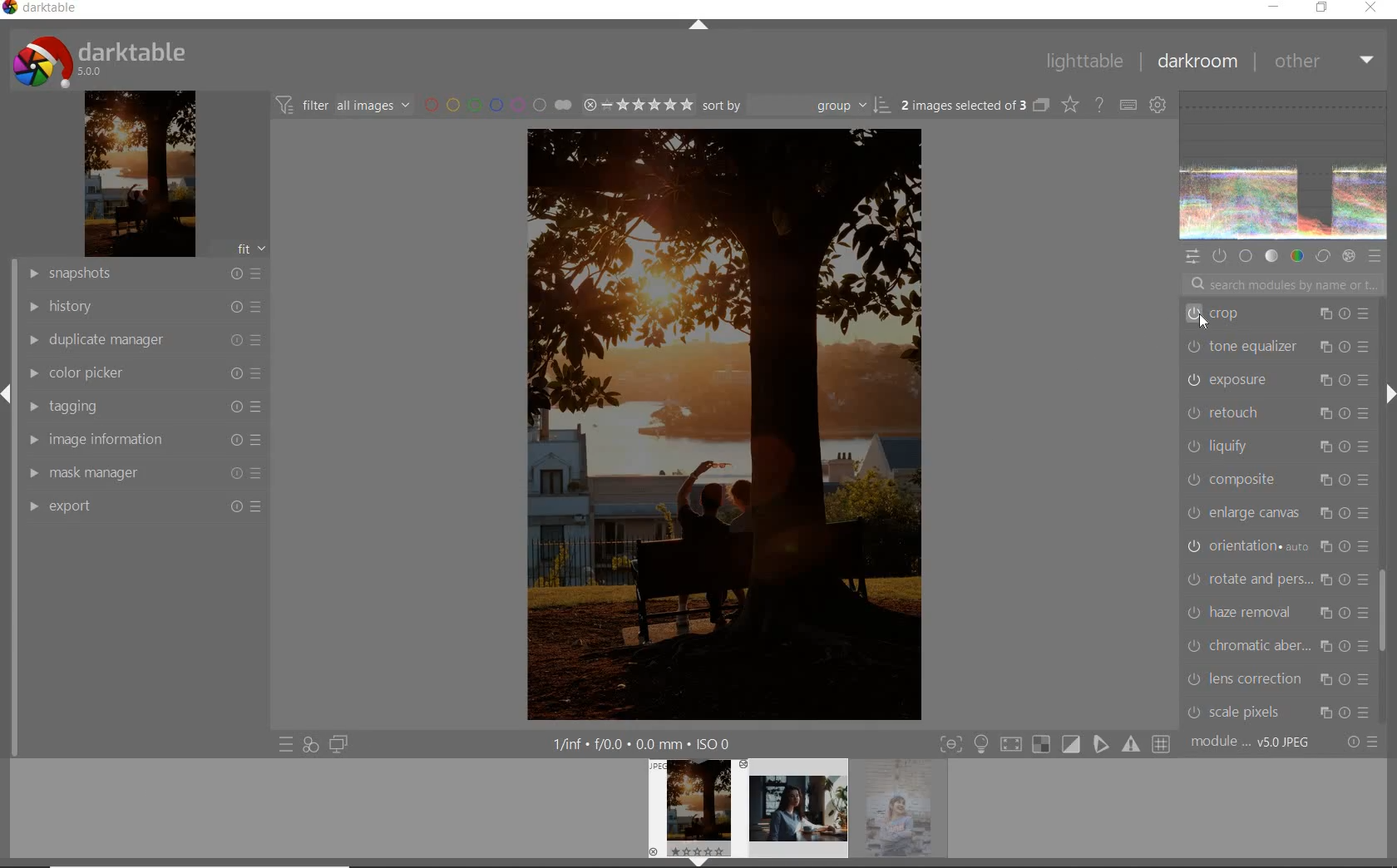 The image size is (1397, 868). What do you see at coordinates (1098, 104) in the screenshot?
I see `enable for online help` at bounding box center [1098, 104].